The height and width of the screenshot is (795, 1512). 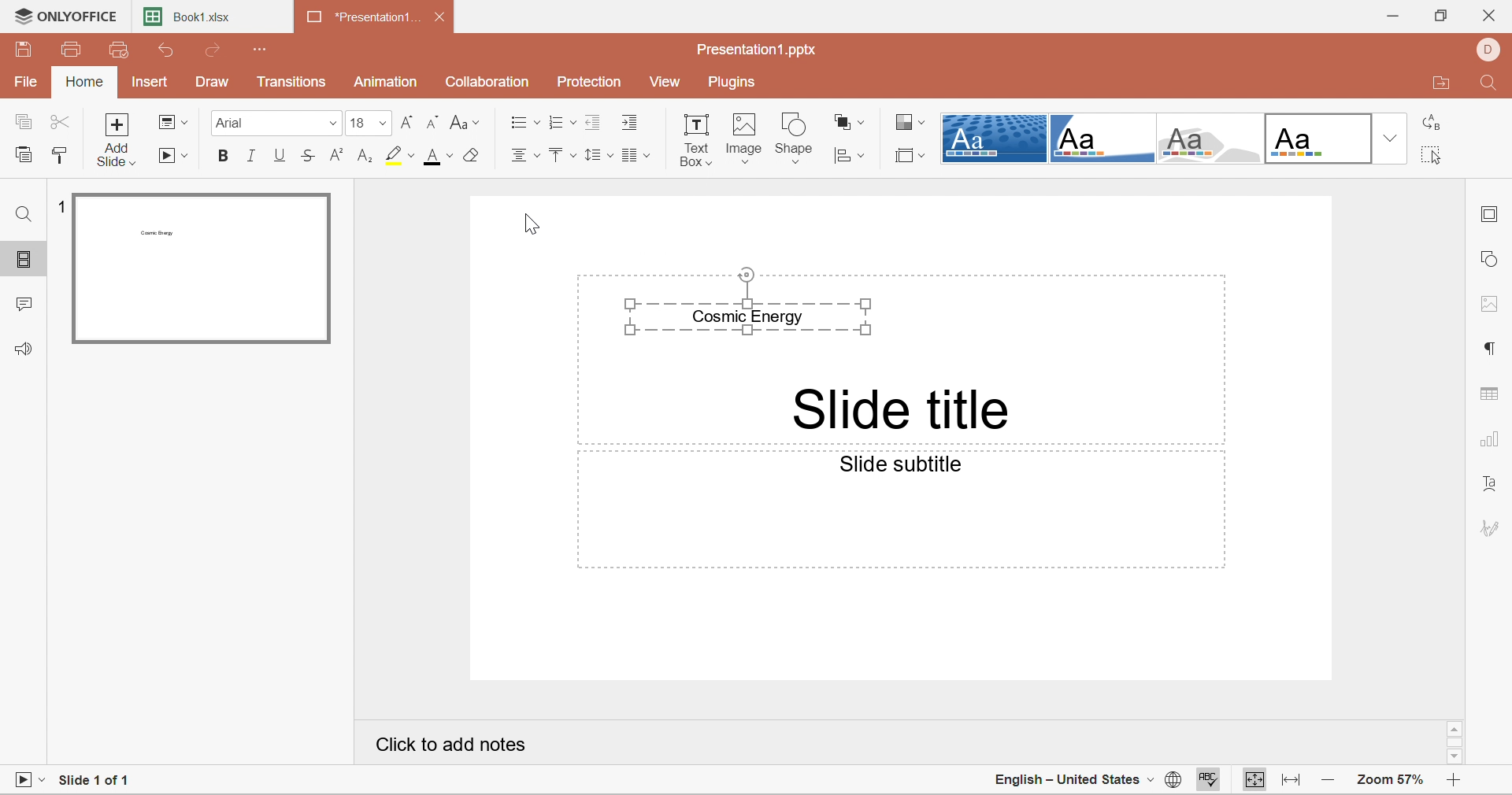 I want to click on Text Art settings, so click(x=1494, y=486).